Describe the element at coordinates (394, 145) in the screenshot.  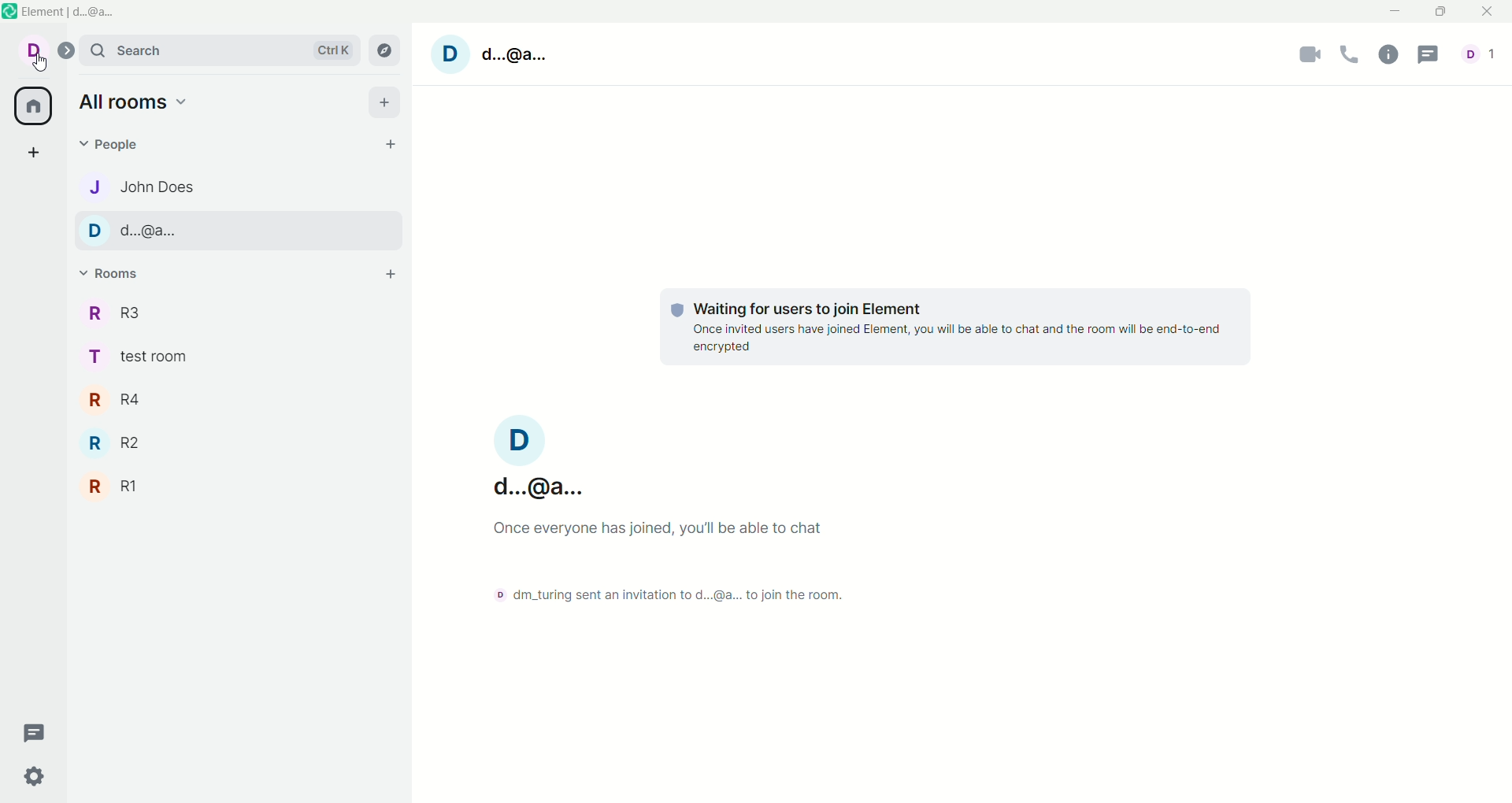
I see `start chat` at that location.